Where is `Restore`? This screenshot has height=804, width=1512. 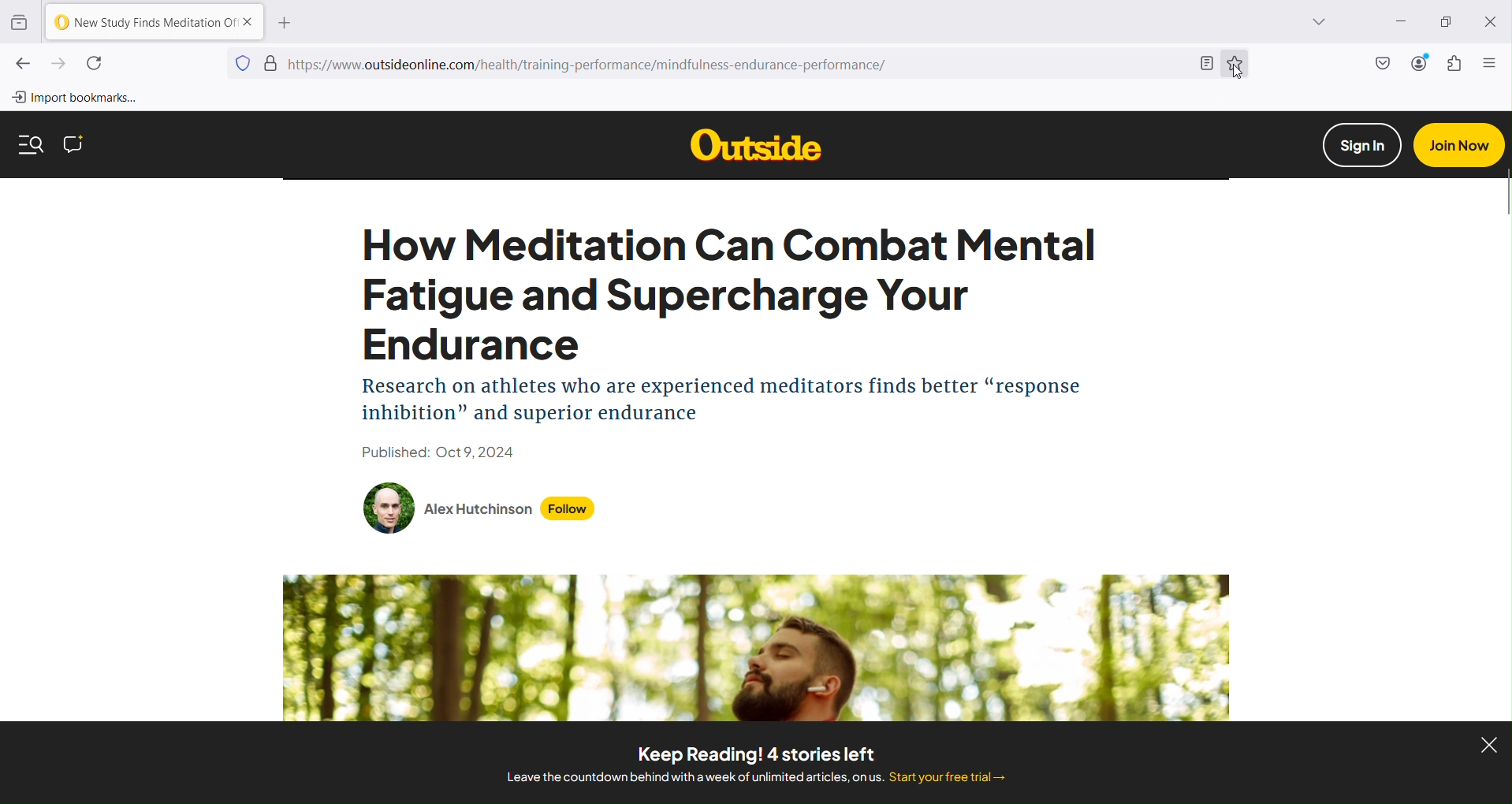 Restore is located at coordinates (1447, 24).